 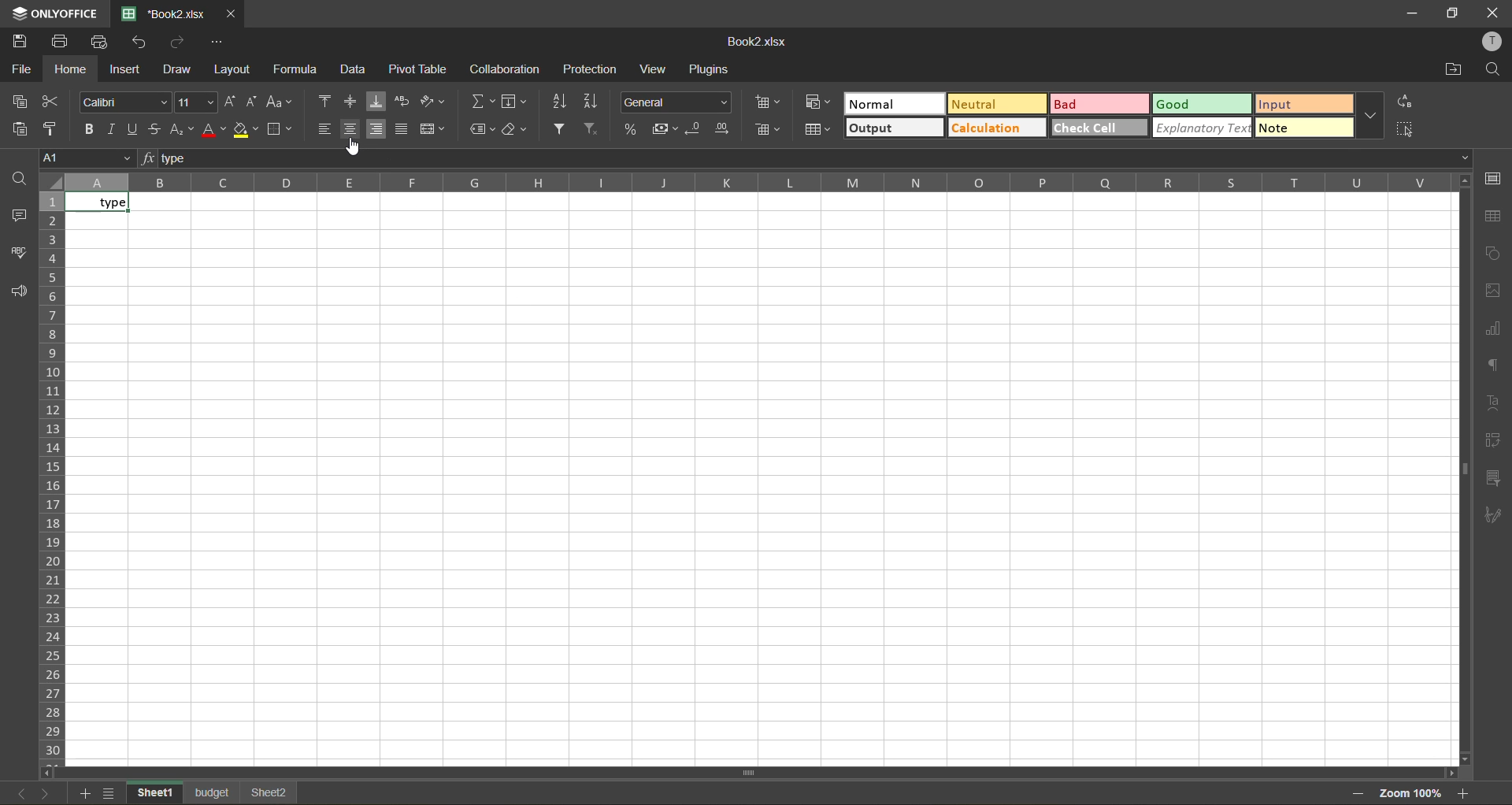 I want to click on sheet names, so click(x=216, y=793).